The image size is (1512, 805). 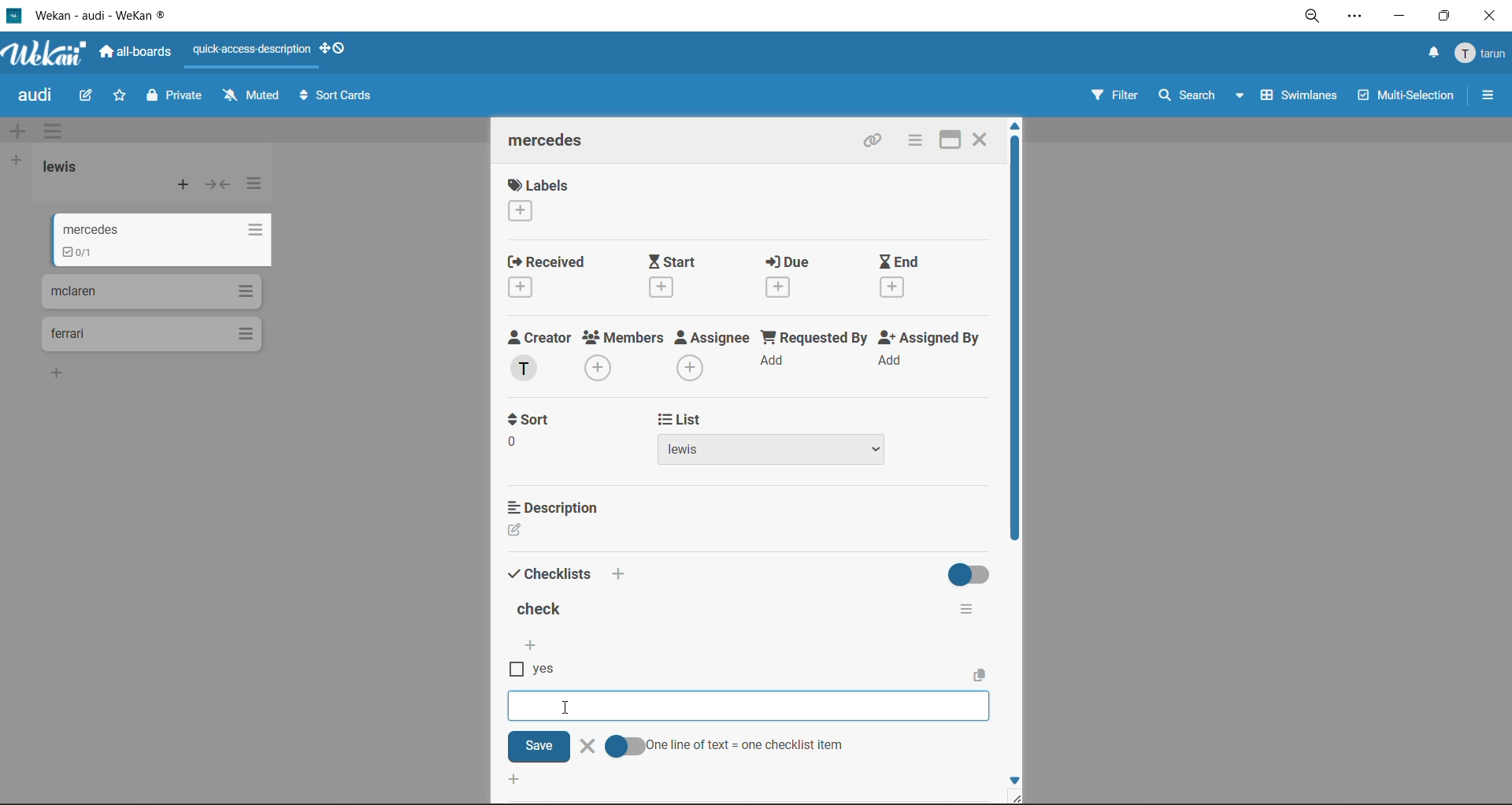 I want to click on edit, so click(x=87, y=95).